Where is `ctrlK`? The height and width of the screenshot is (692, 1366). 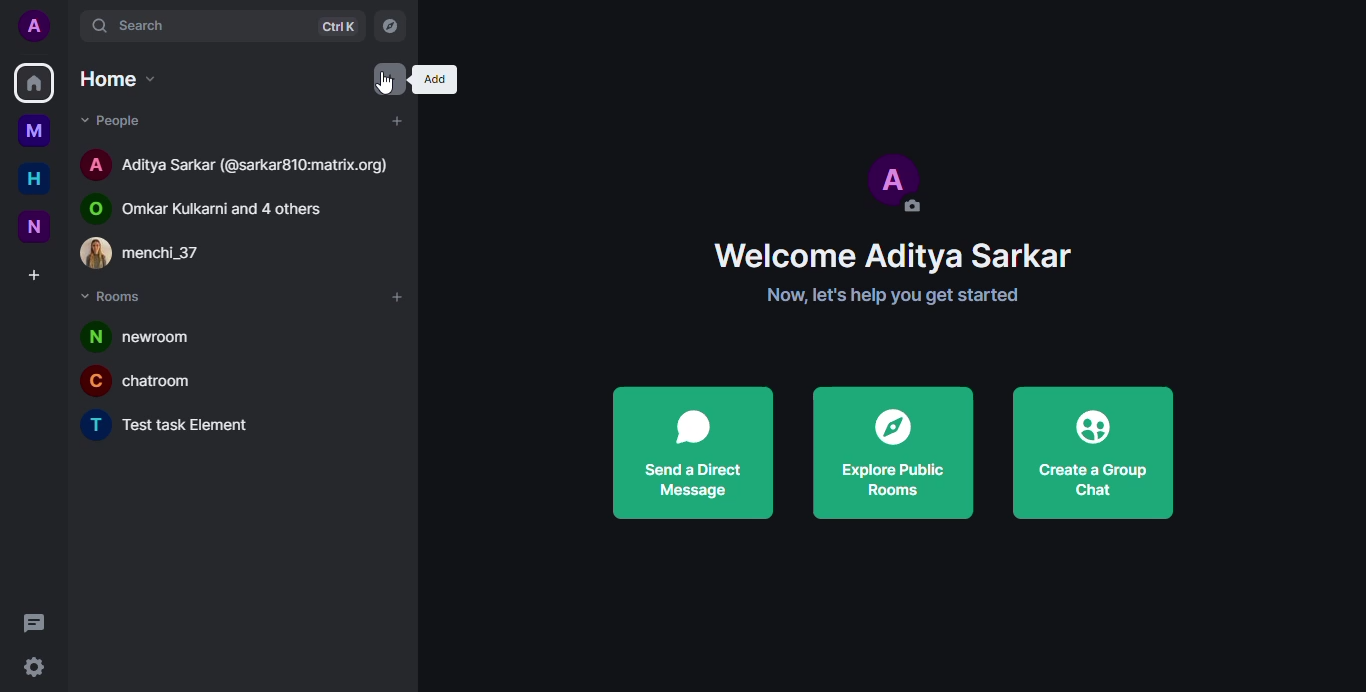 ctrlK is located at coordinates (337, 27).